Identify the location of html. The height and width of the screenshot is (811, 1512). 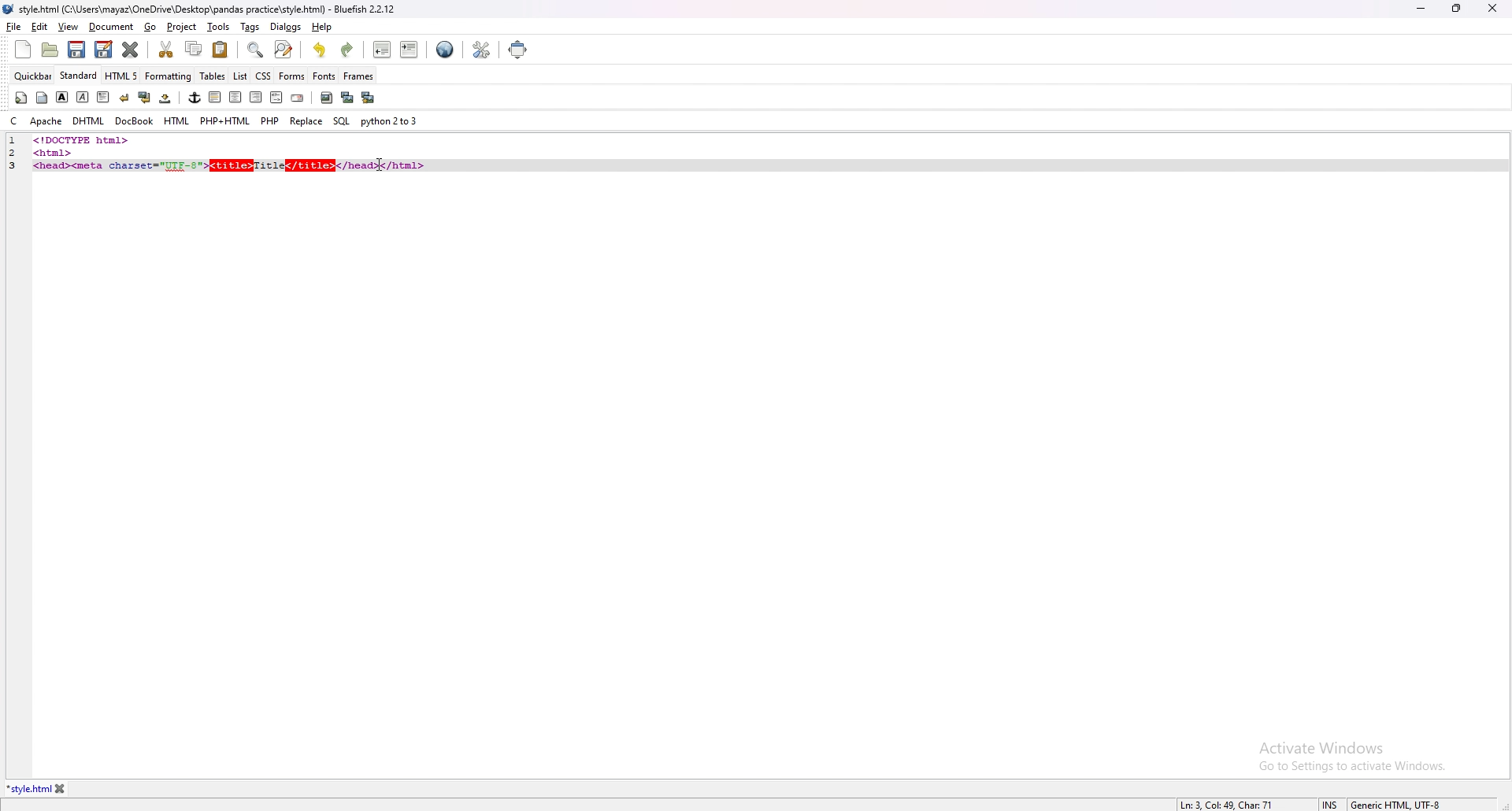
(177, 121).